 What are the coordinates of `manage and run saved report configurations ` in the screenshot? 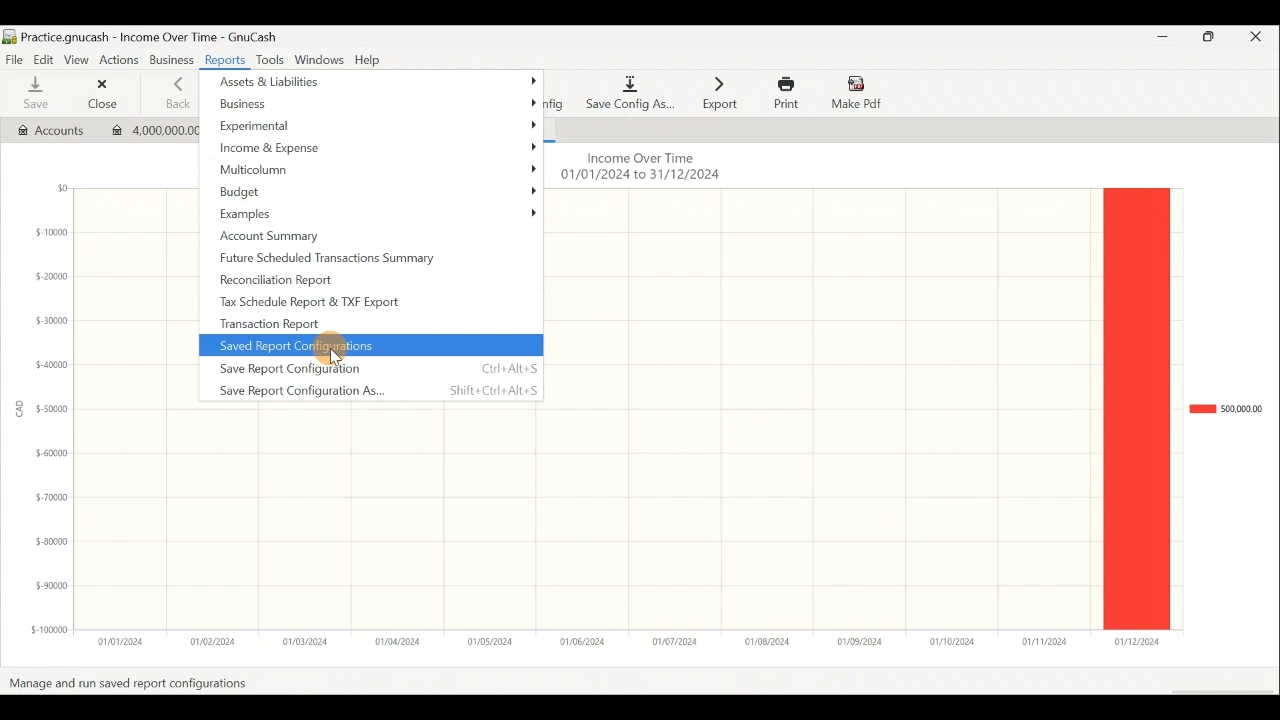 It's located at (133, 685).